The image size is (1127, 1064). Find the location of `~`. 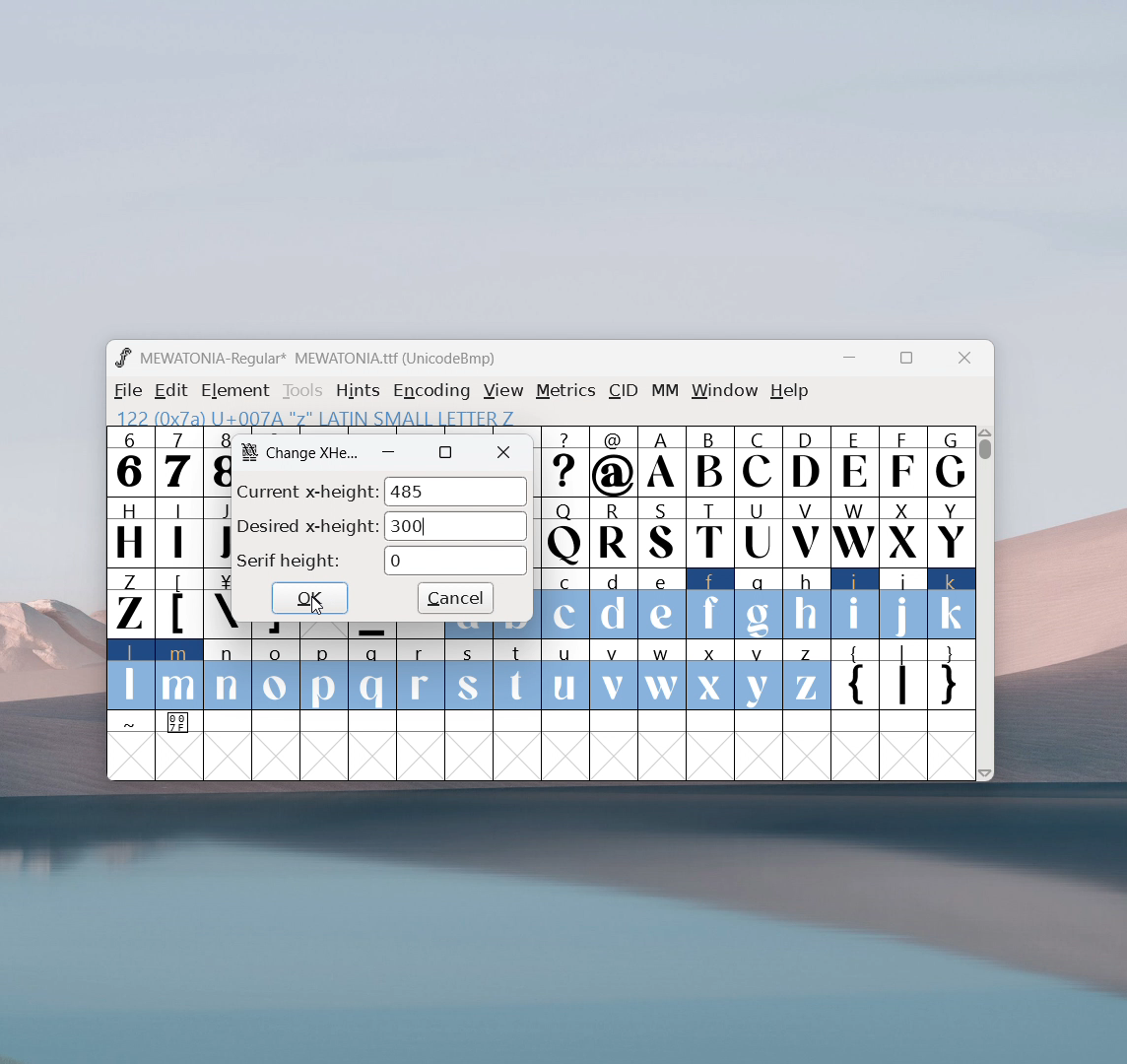

~ is located at coordinates (131, 723).